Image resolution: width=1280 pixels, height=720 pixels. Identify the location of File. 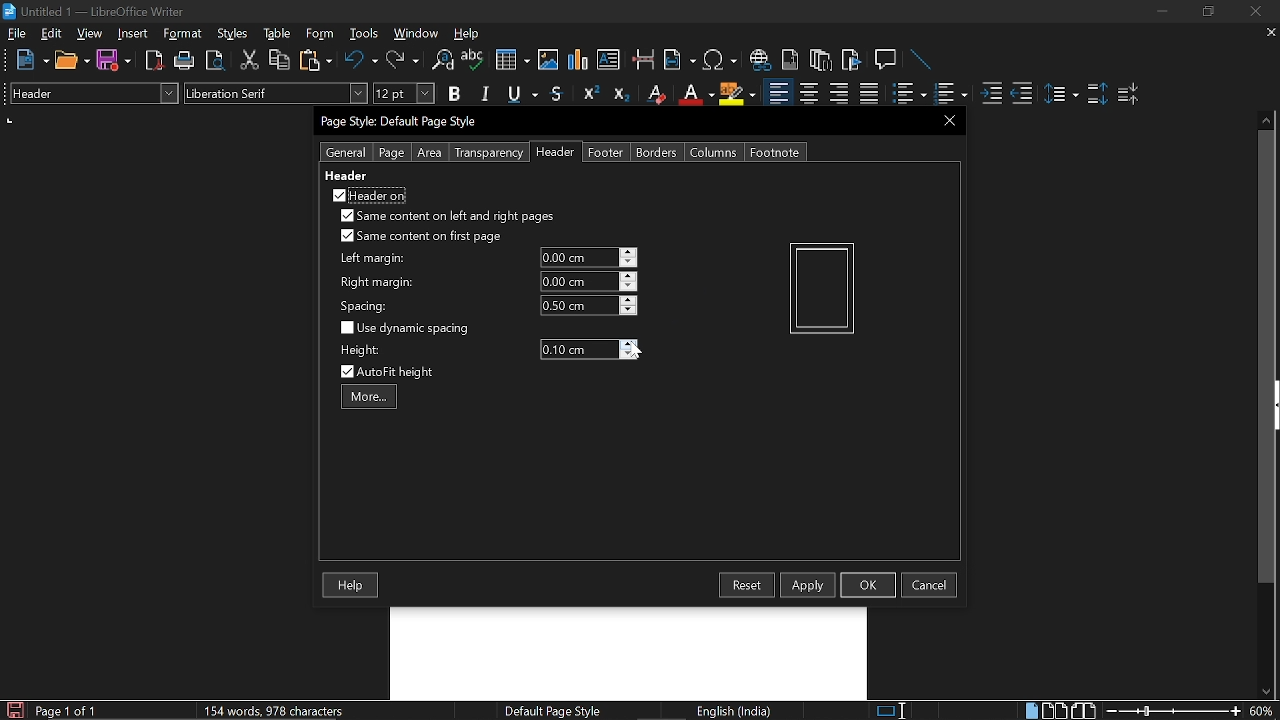
(17, 33).